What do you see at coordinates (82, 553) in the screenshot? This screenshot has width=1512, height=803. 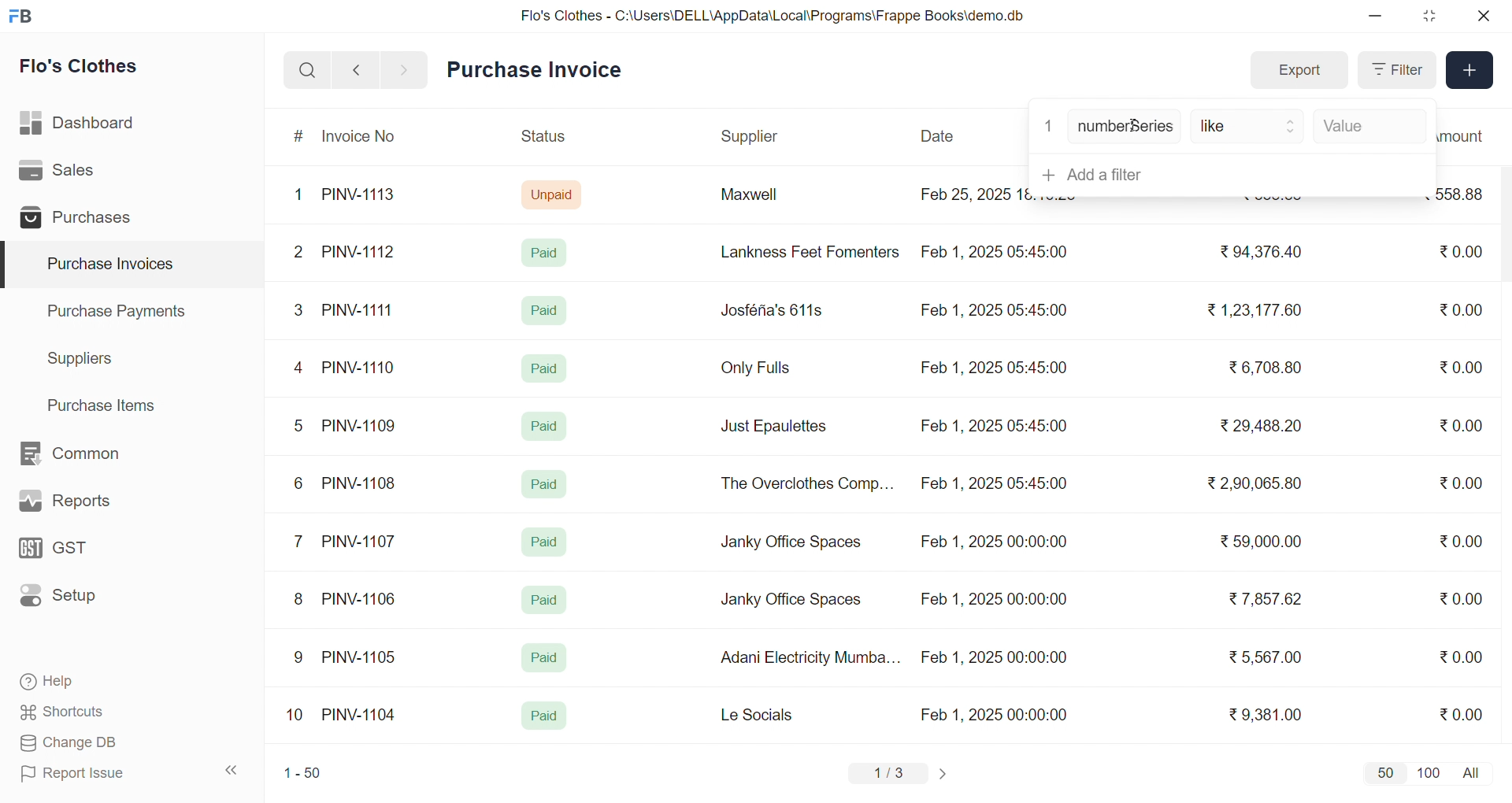 I see `GST` at bounding box center [82, 553].